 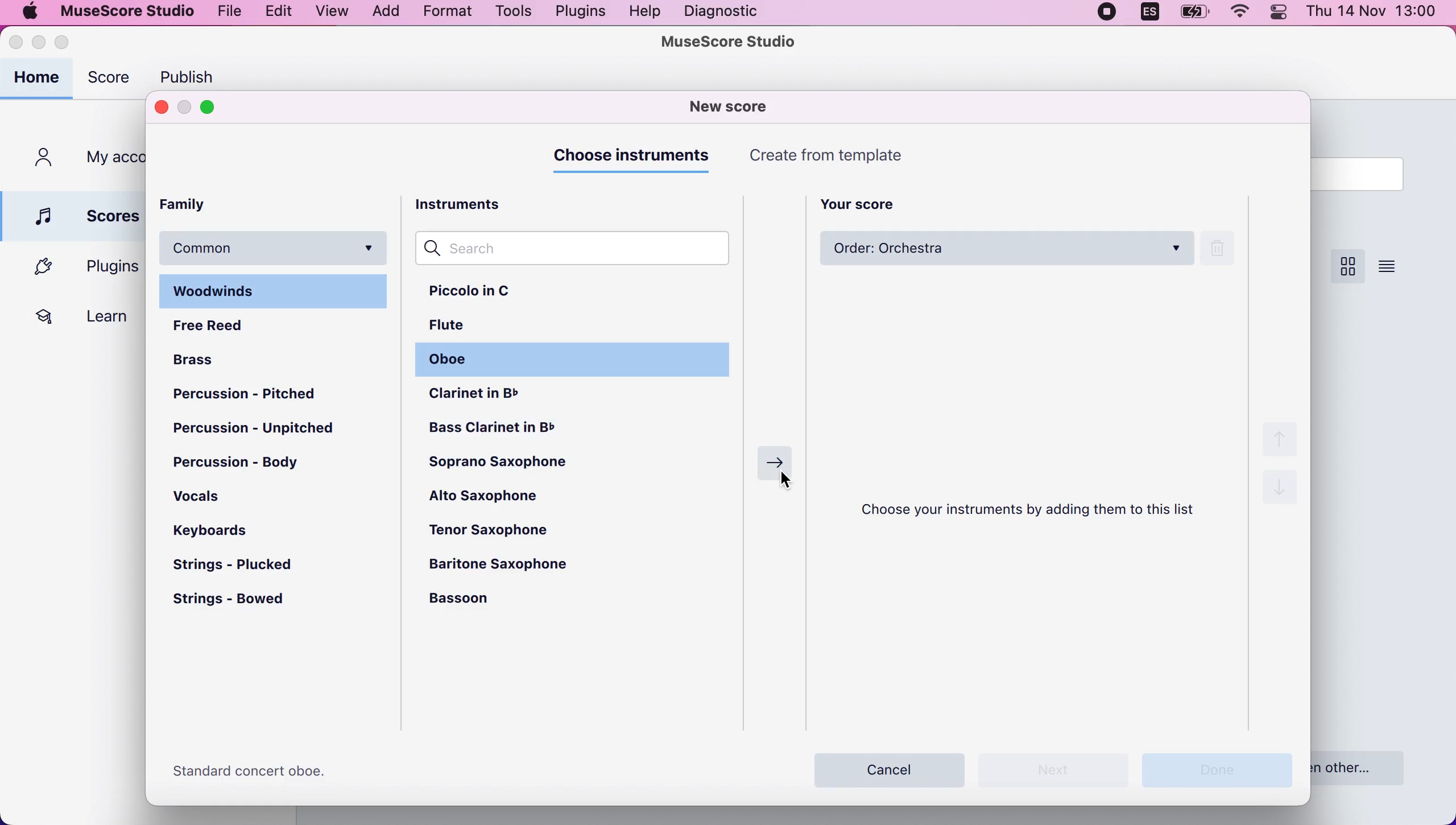 I want to click on maximize, so click(x=216, y=108).